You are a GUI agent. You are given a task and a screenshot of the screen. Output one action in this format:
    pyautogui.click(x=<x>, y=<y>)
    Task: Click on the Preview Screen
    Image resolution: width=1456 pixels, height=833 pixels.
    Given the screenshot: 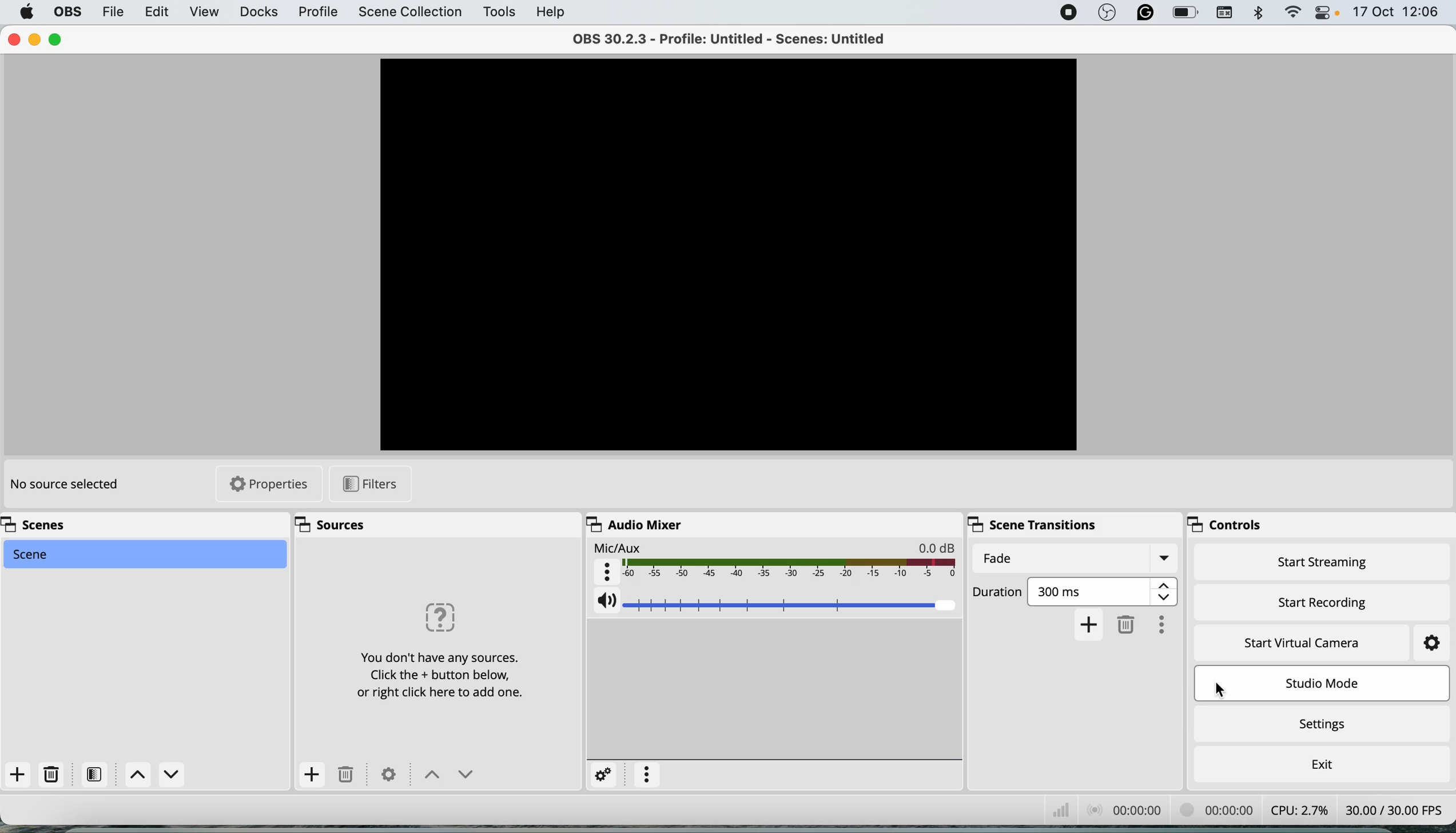 What is the action you would take?
    pyautogui.click(x=729, y=252)
    